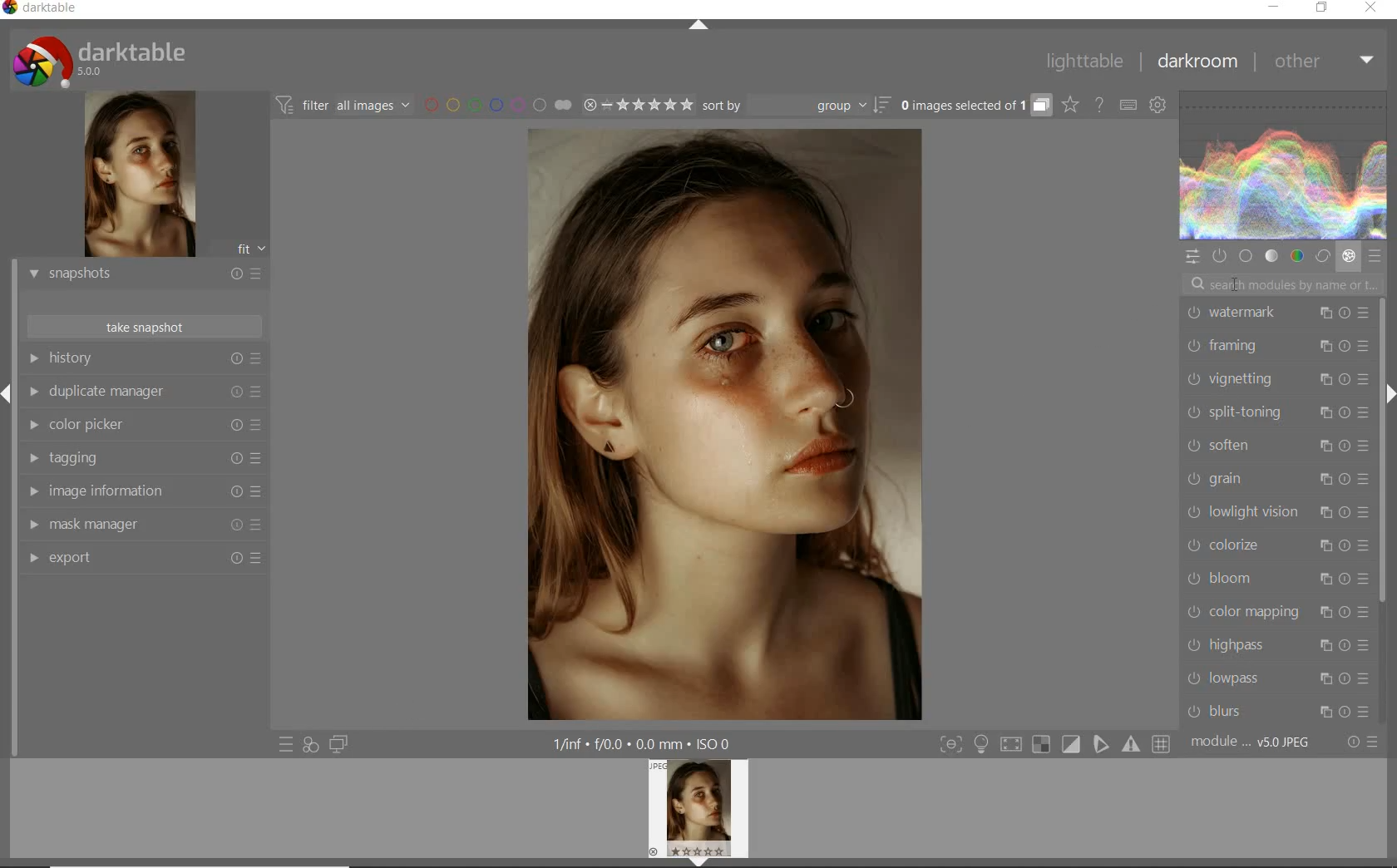 Image resolution: width=1397 pixels, height=868 pixels. I want to click on quick access for applying any of your styles, so click(309, 745).